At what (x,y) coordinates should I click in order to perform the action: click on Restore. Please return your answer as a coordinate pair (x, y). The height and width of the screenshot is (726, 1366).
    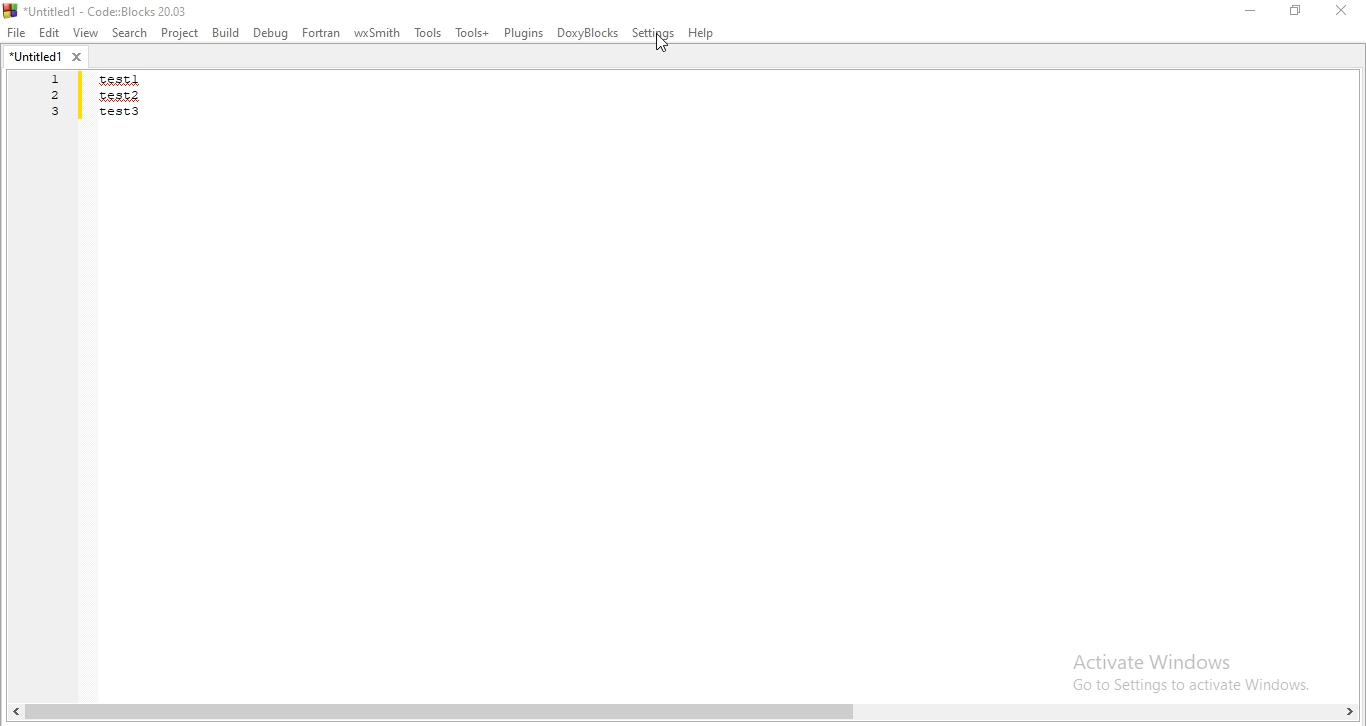
    Looking at the image, I should click on (1297, 10).